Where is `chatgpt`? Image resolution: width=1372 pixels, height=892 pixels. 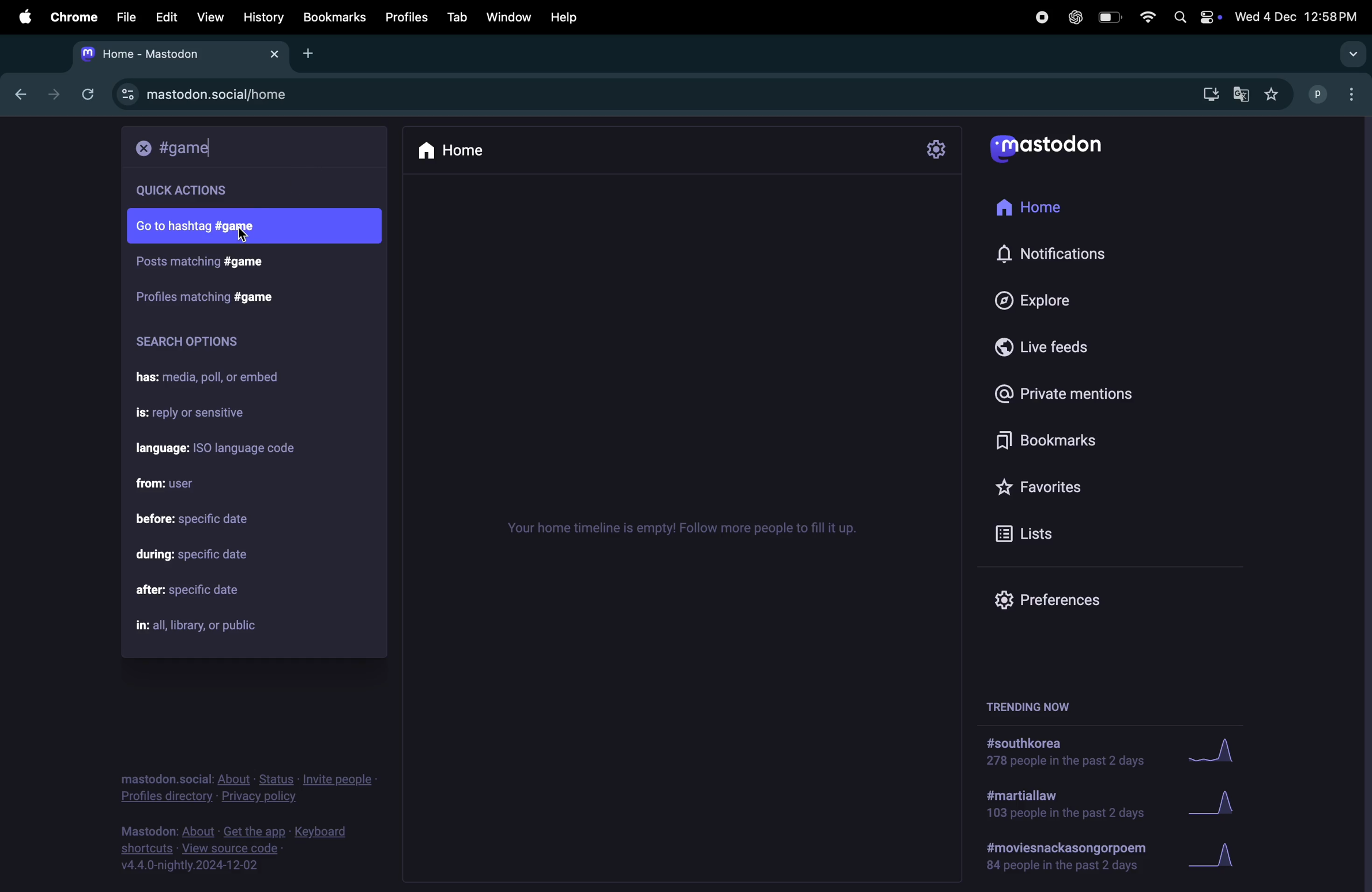 chatgpt is located at coordinates (1076, 17).